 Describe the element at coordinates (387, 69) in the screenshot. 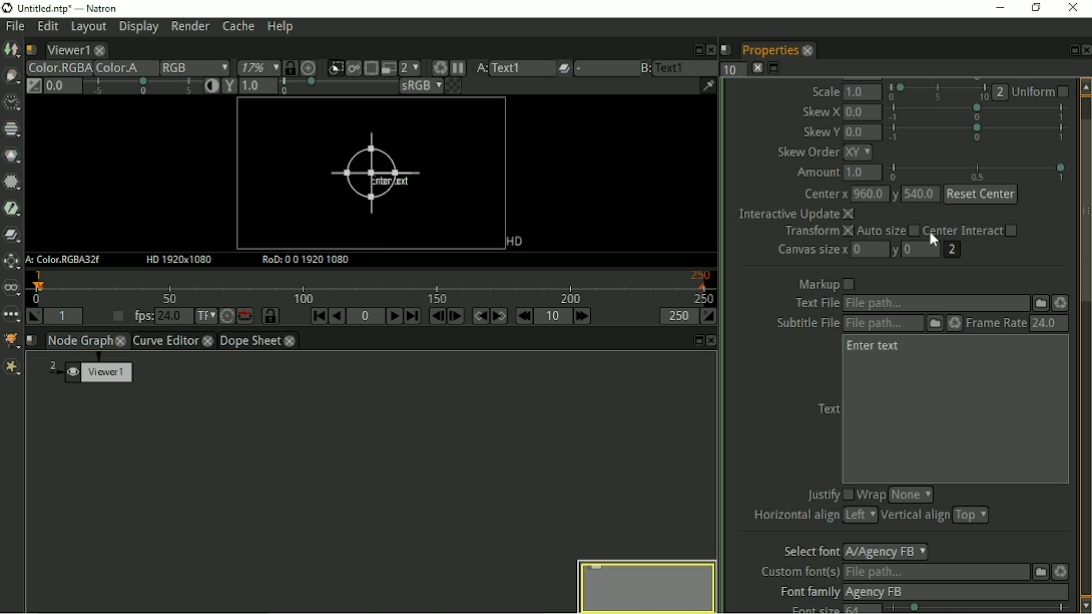

I see `Proxy mode` at that location.